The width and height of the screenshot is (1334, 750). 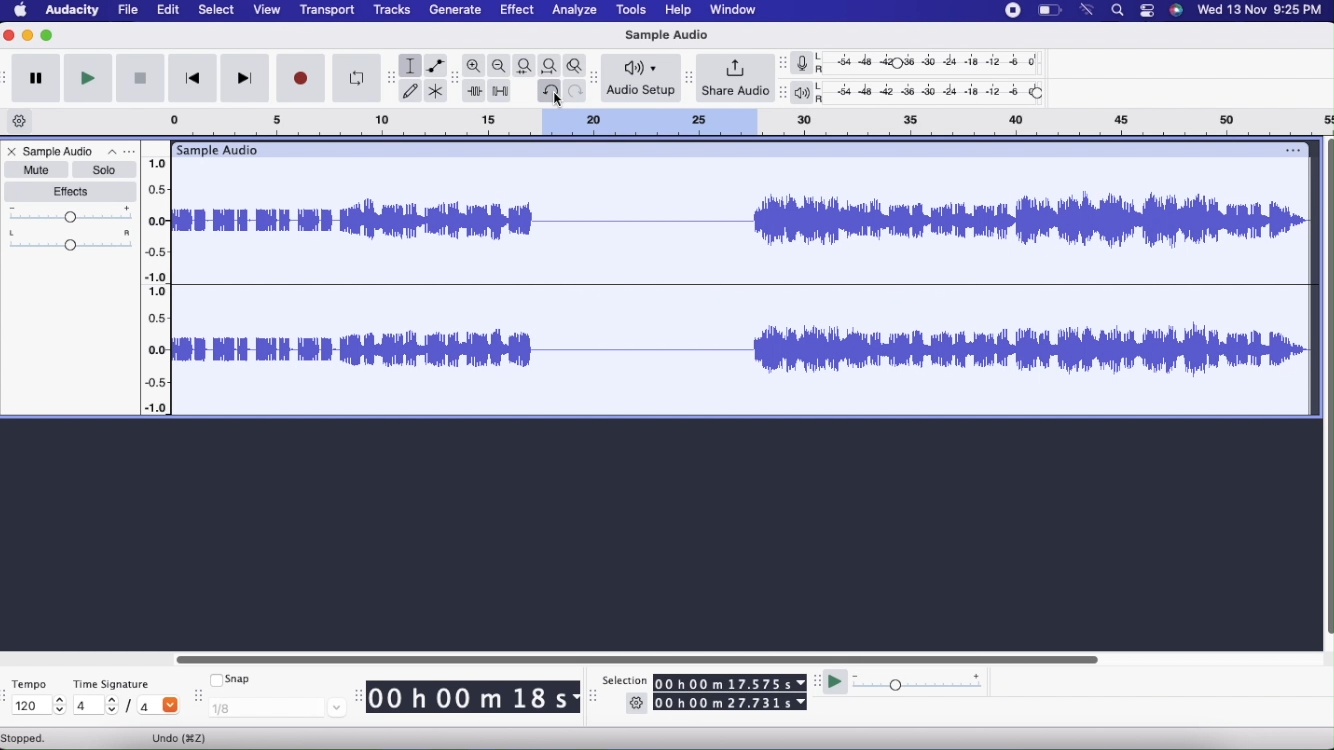 I want to click on Record, so click(x=302, y=78).